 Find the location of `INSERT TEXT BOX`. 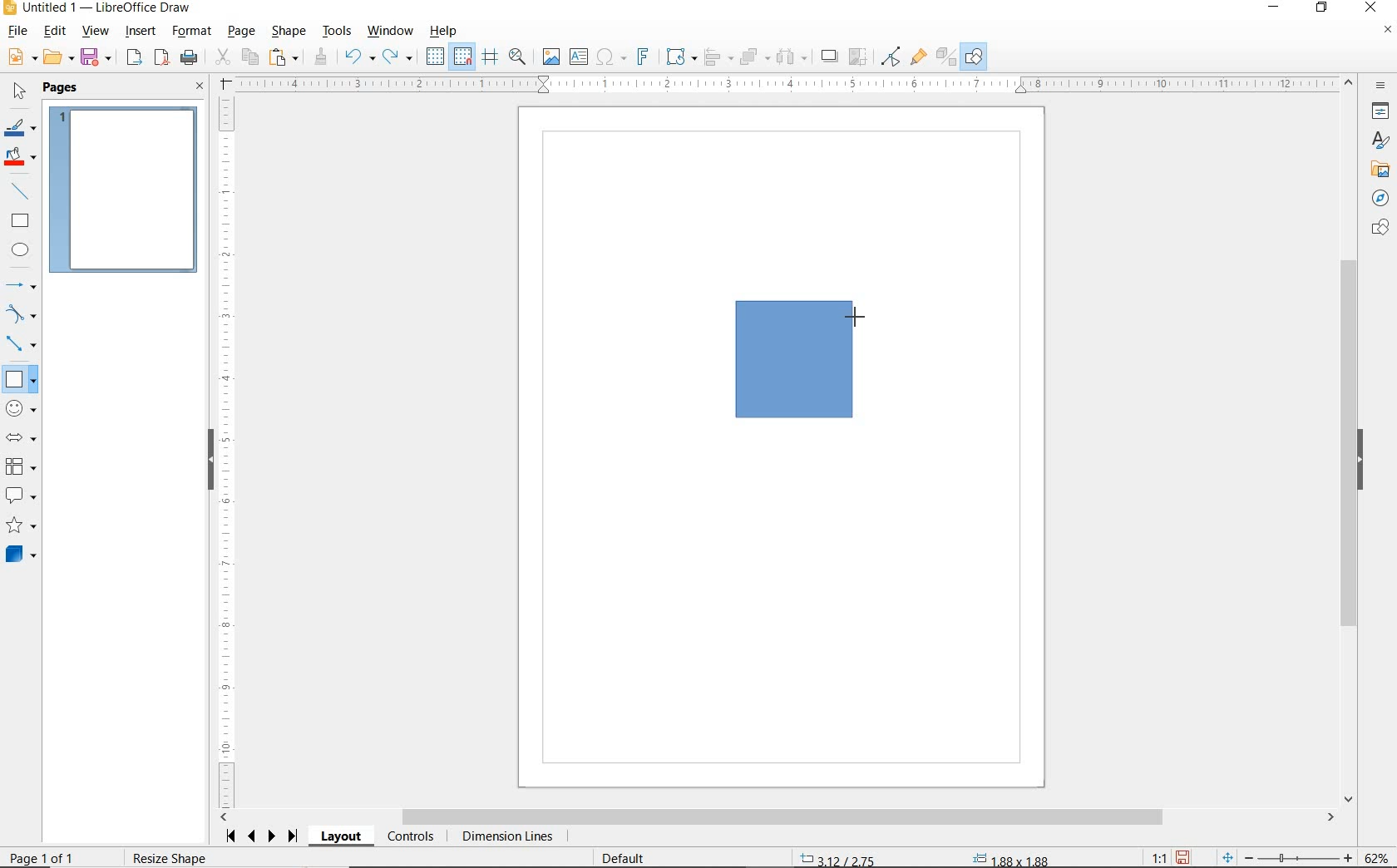

INSERT TEXT BOX is located at coordinates (578, 57).